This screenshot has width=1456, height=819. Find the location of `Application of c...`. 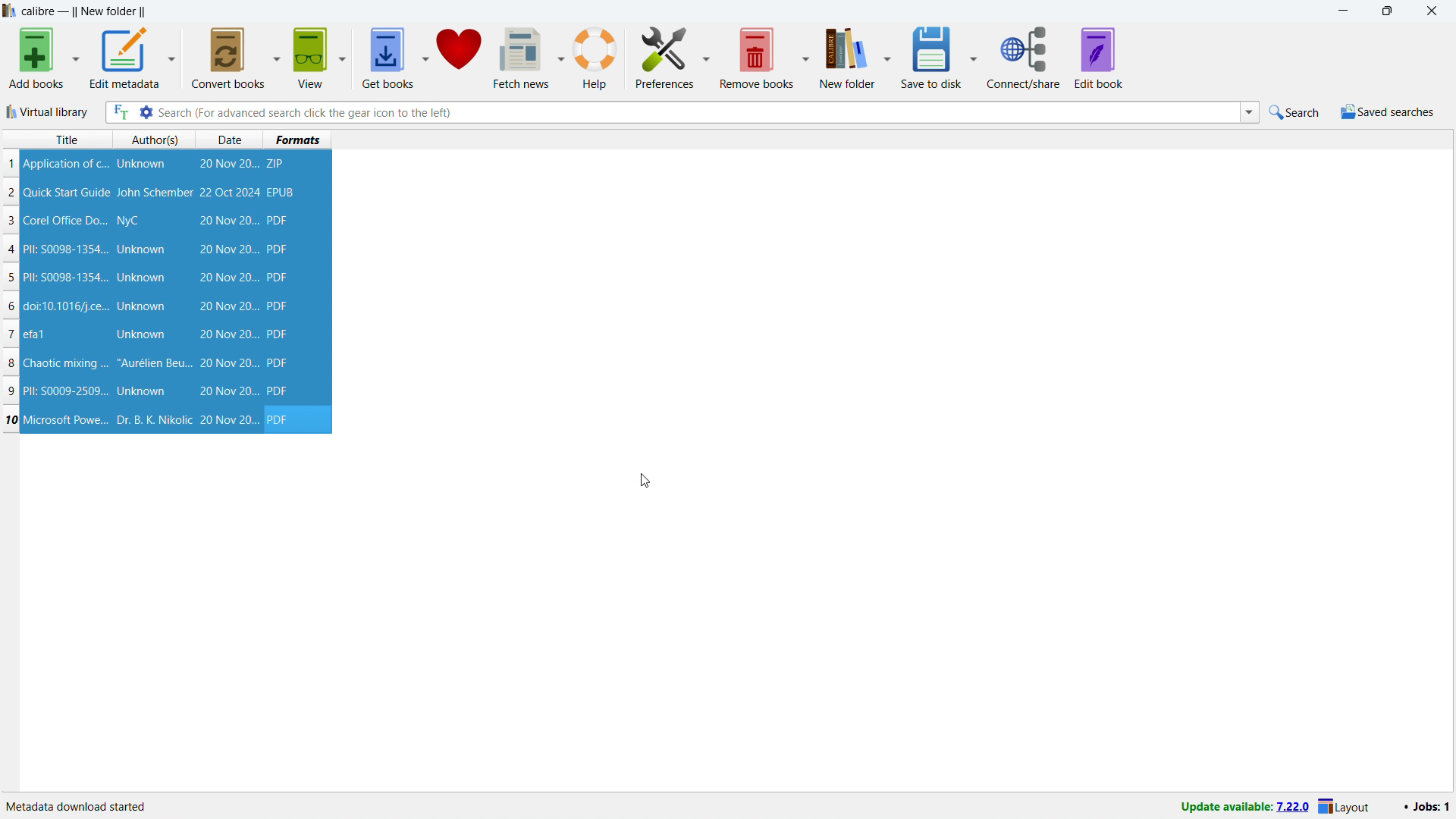

Application of c... is located at coordinates (64, 164).